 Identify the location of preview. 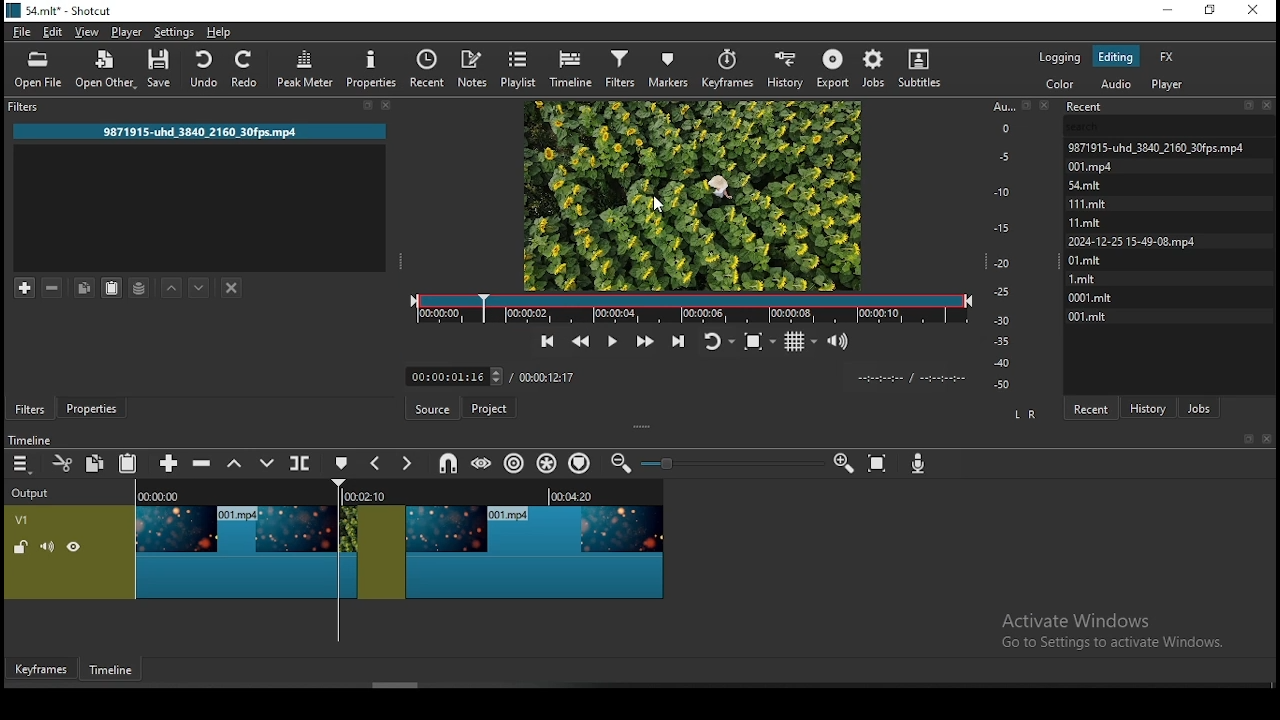
(692, 193).